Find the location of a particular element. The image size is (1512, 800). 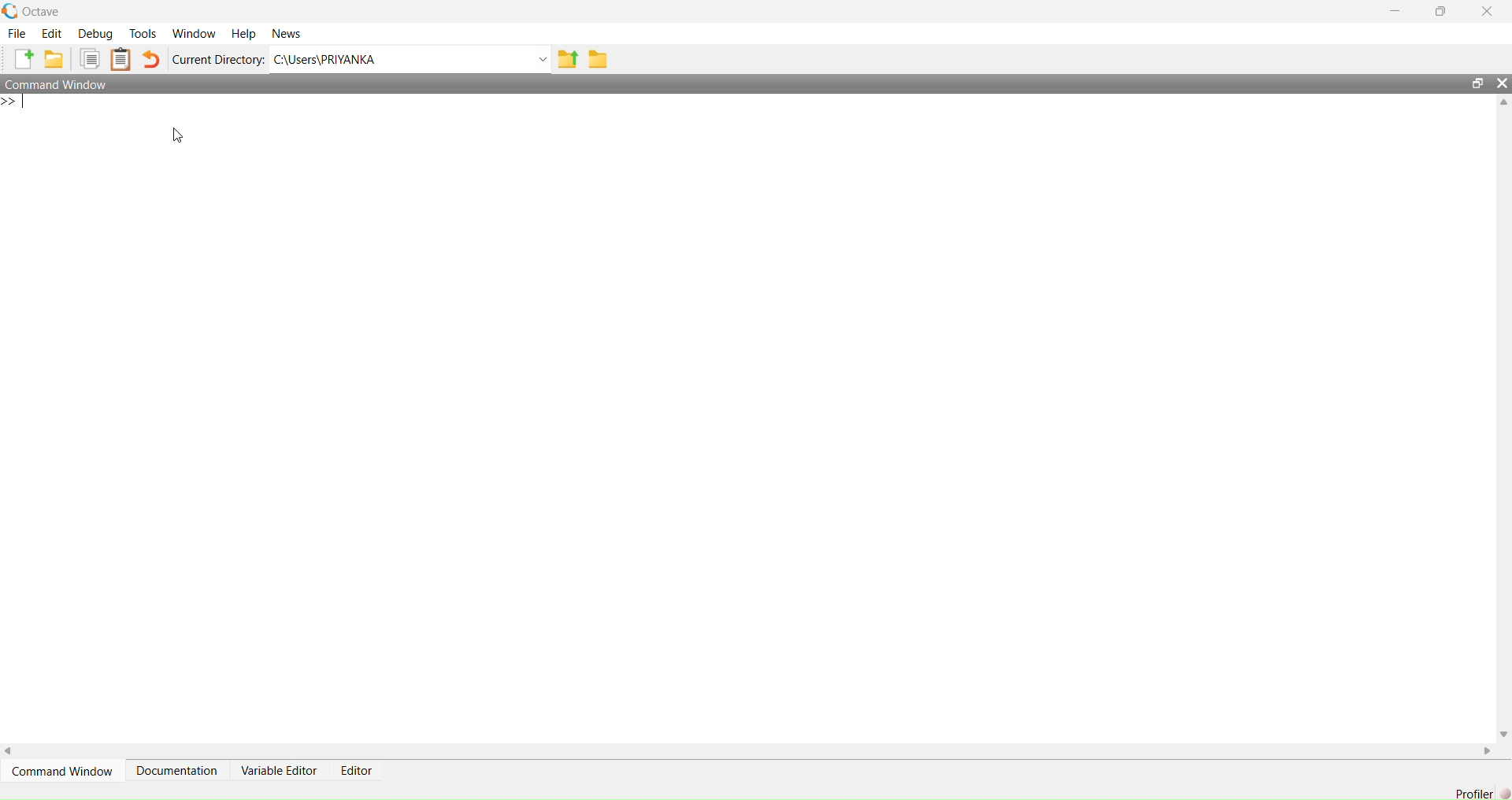

notes is located at coordinates (124, 60).